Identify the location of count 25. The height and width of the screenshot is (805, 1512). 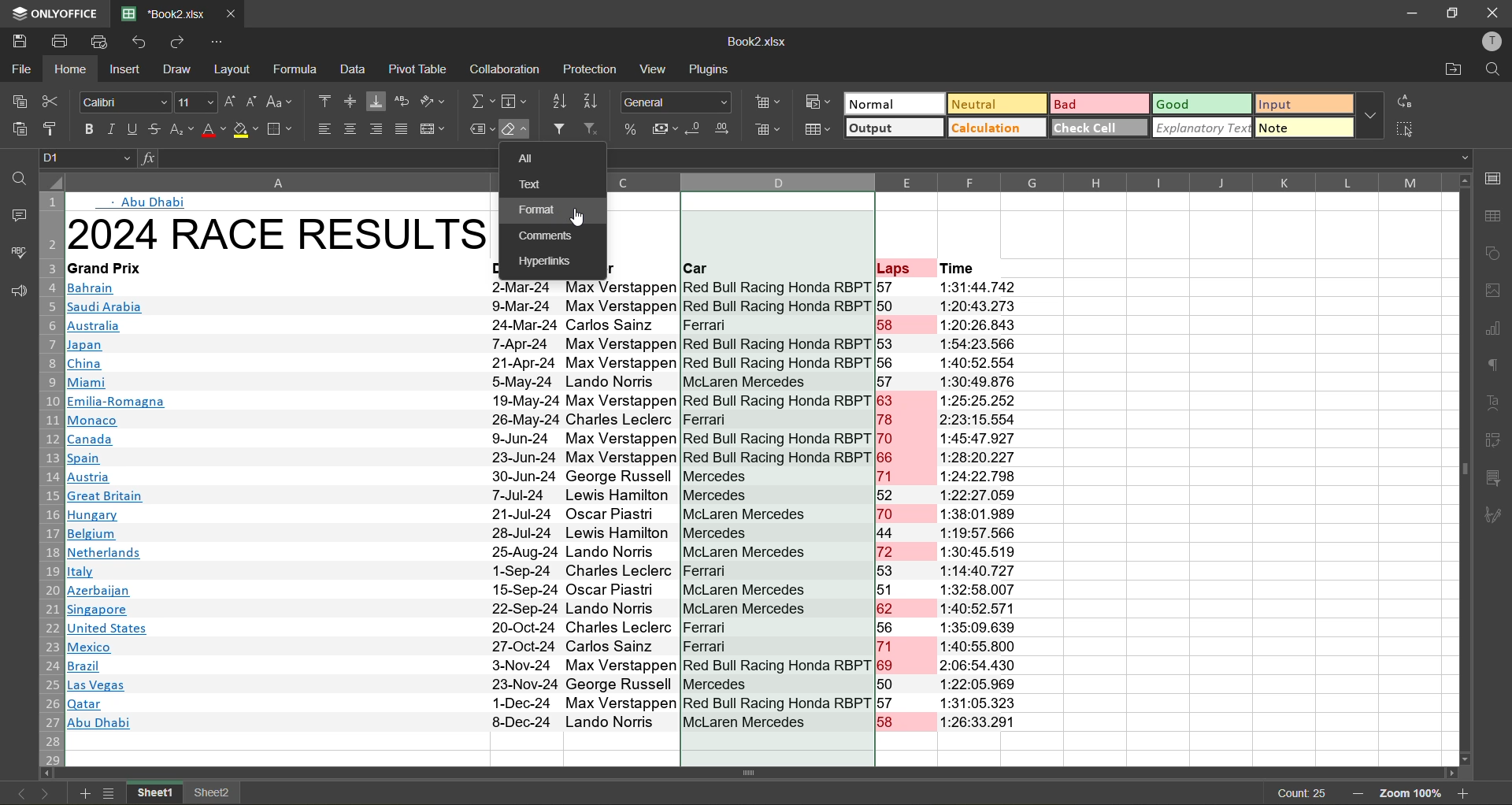
(1299, 793).